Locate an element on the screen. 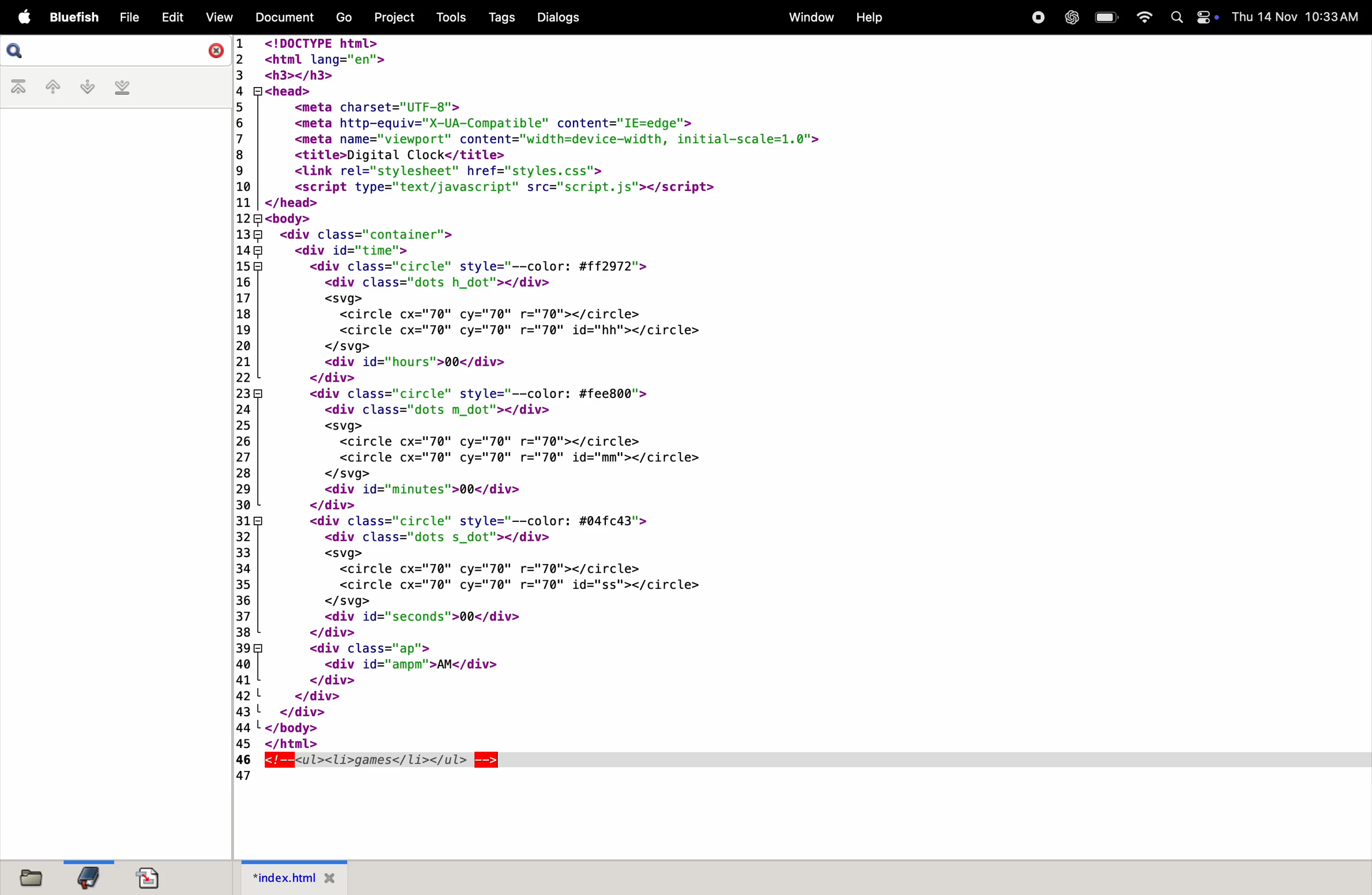  bluefish is located at coordinates (71, 16).